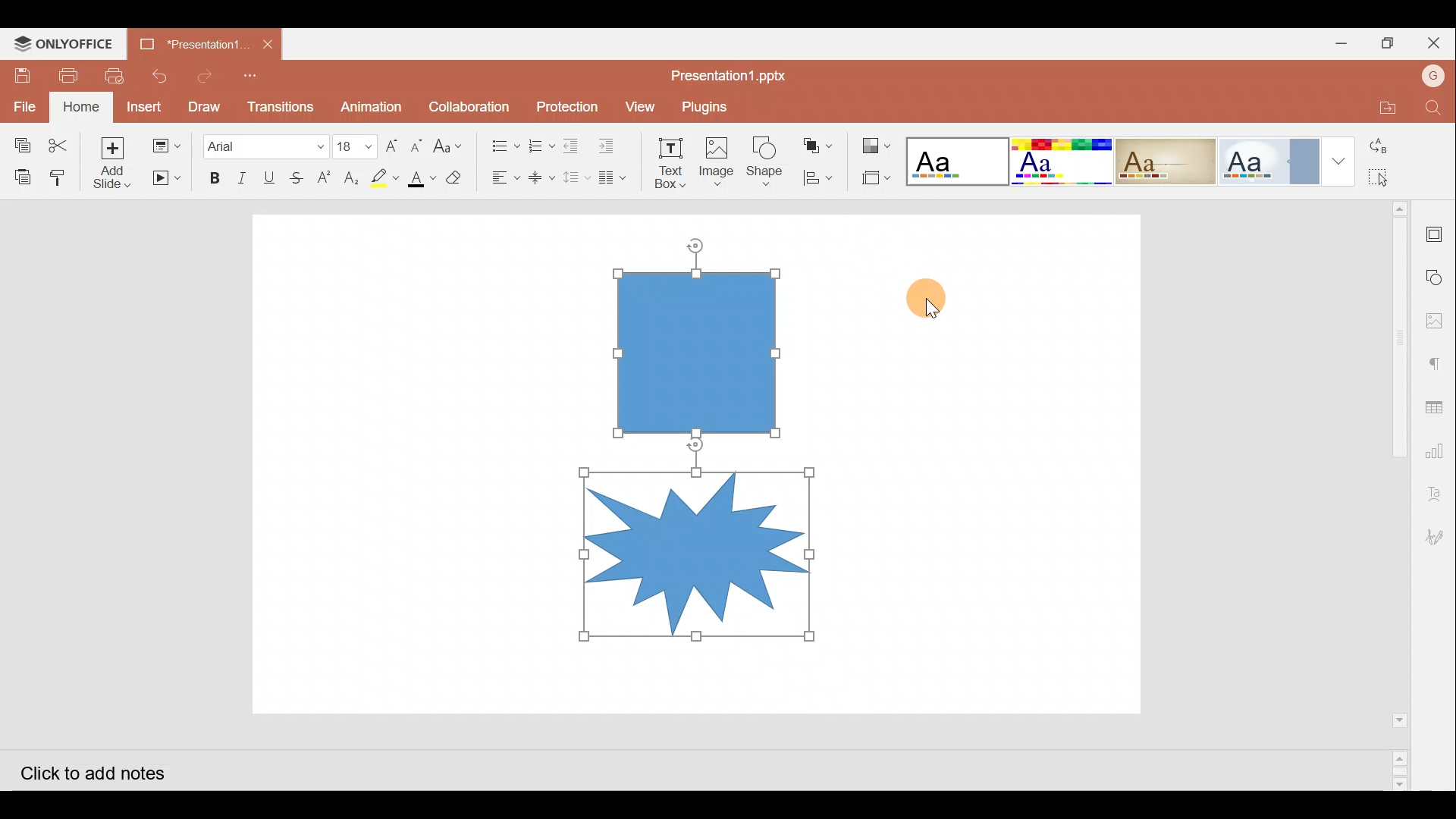  What do you see at coordinates (1341, 42) in the screenshot?
I see `Minimize` at bounding box center [1341, 42].